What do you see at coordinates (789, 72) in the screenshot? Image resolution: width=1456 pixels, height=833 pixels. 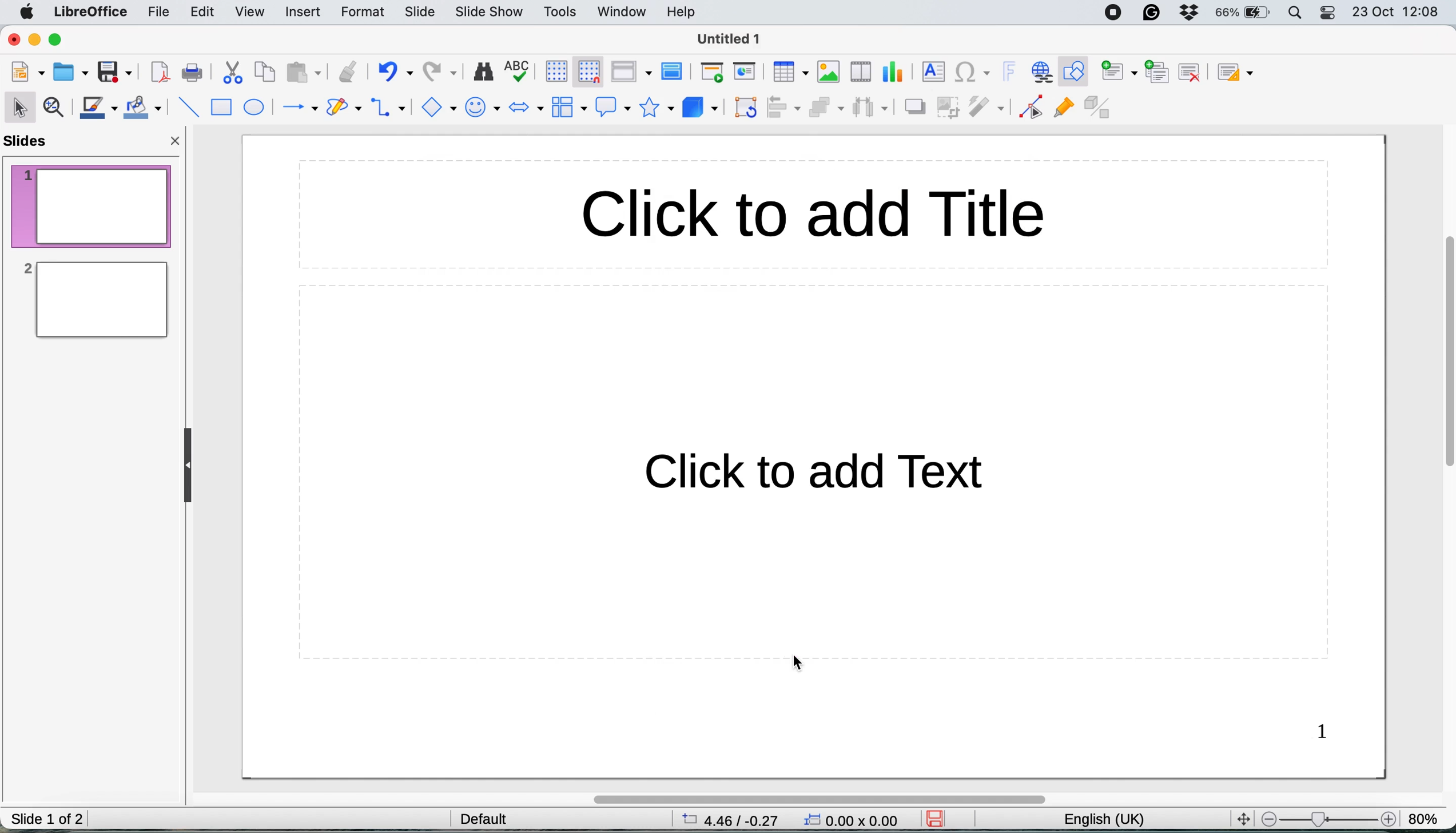 I see `insert table` at bounding box center [789, 72].